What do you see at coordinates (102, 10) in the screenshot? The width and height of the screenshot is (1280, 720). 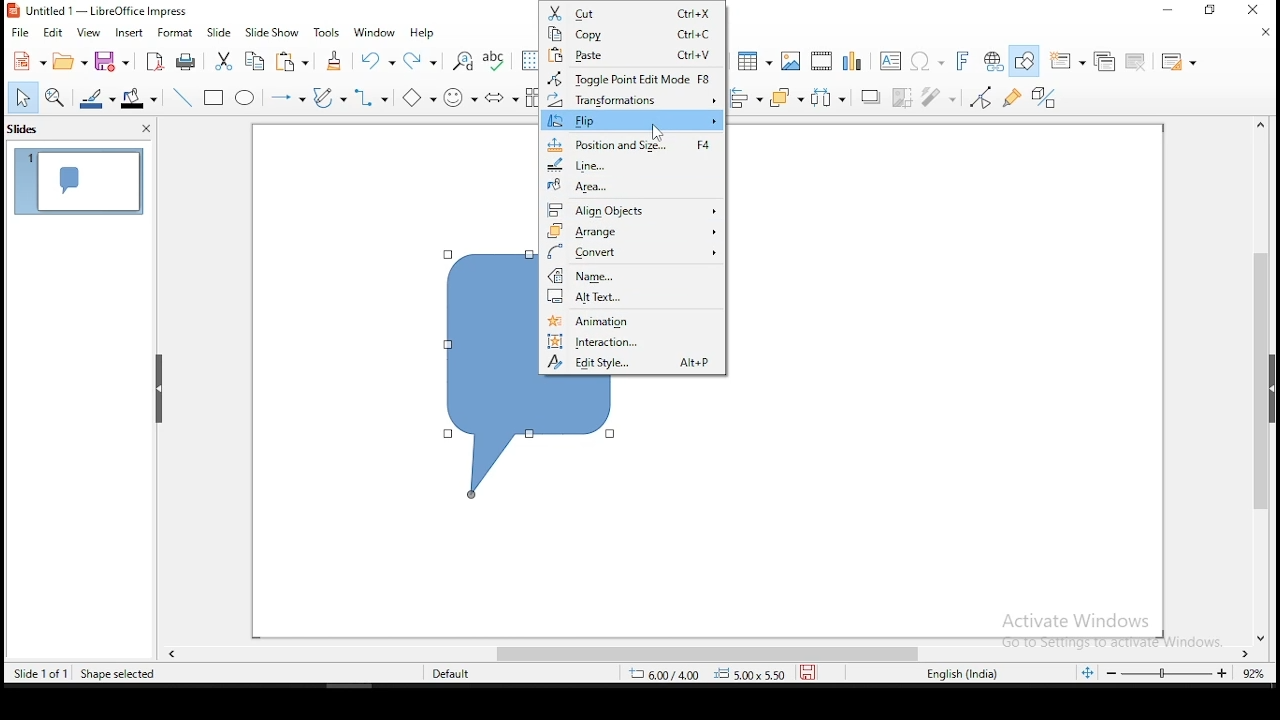 I see `icon and file name` at bounding box center [102, 10].